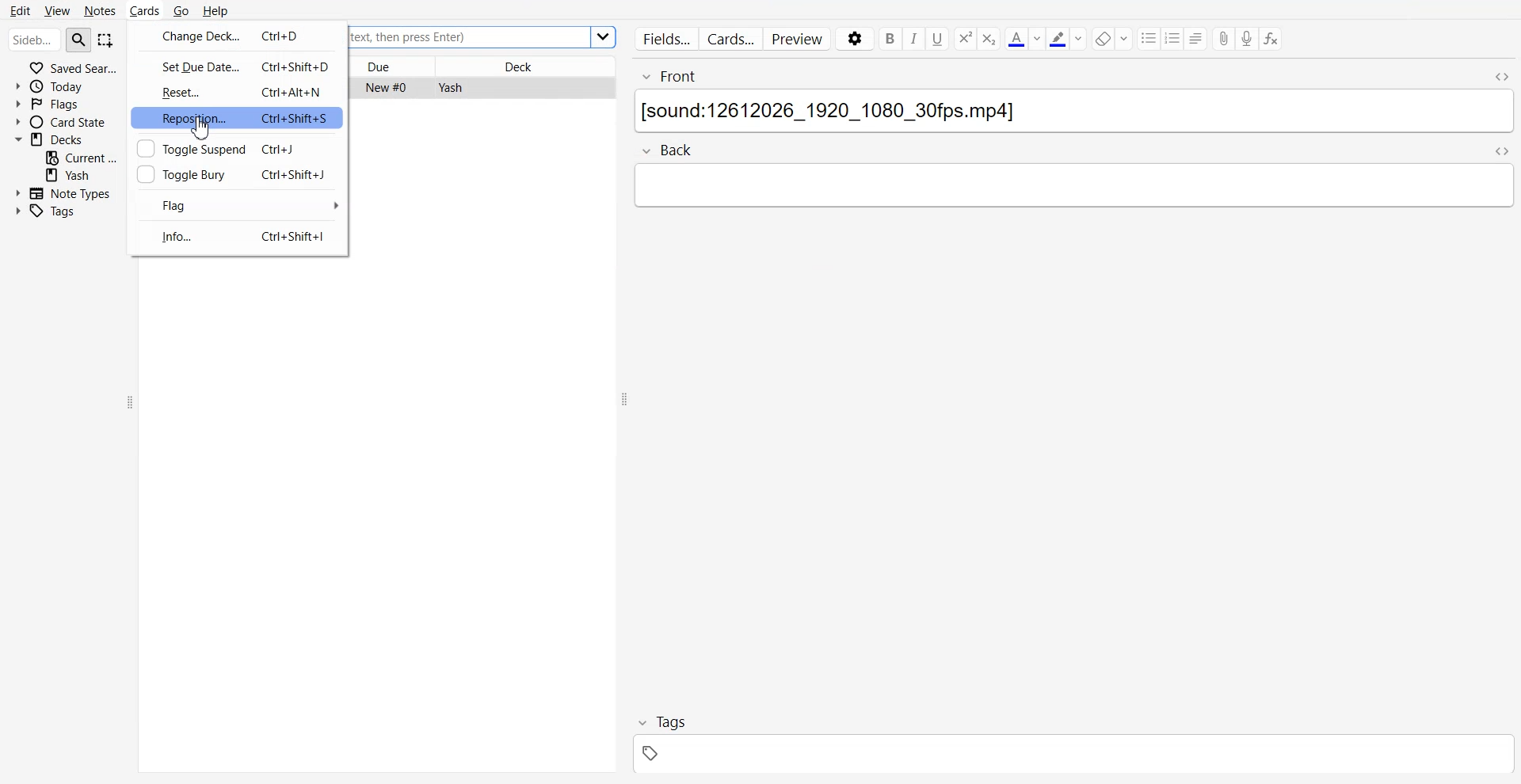  I want to click on Toggle HTML Editor, so click(1503, 151).